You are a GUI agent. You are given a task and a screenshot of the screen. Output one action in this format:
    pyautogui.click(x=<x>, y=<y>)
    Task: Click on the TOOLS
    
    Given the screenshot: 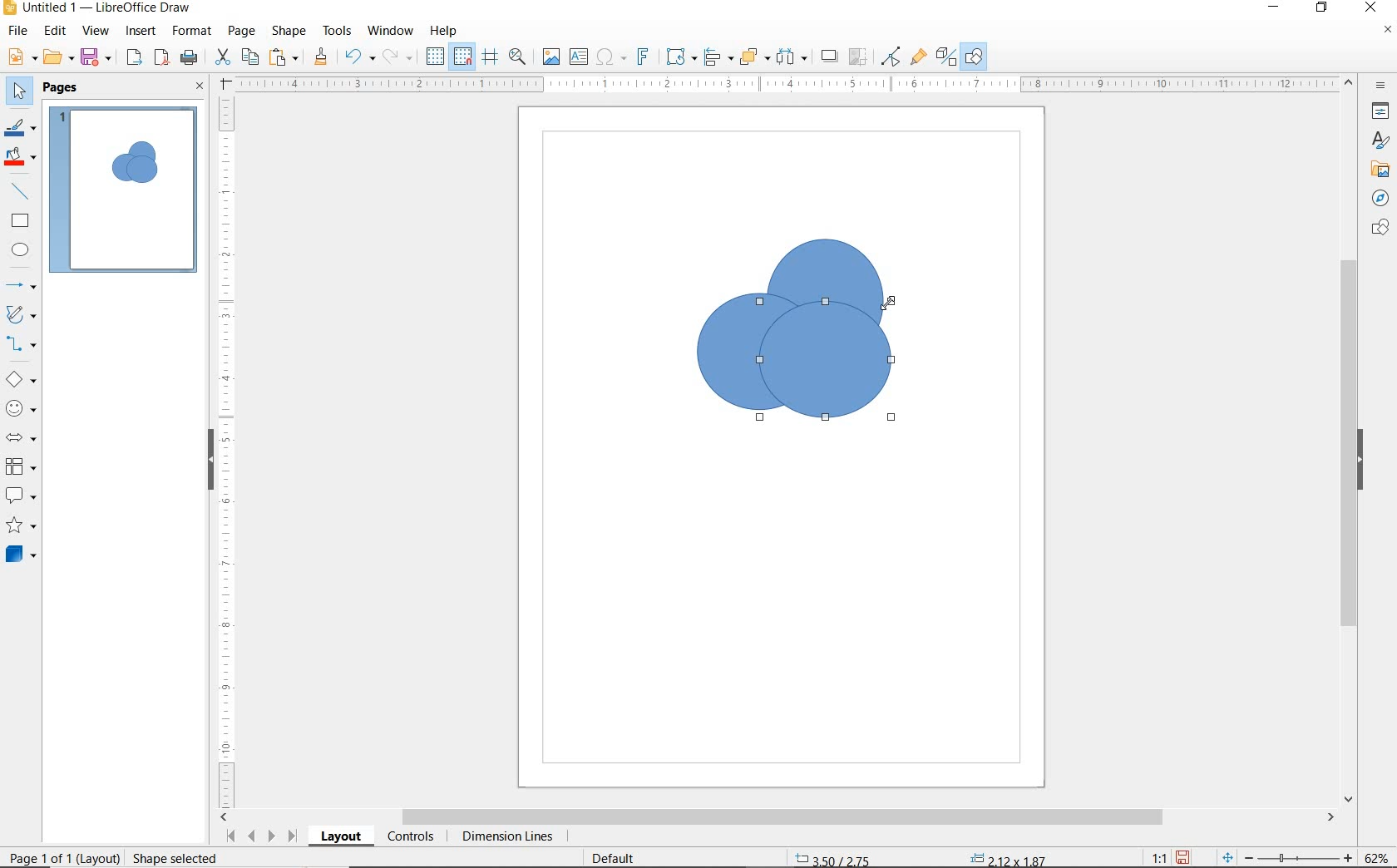 What is the action you would take?
    pyautogui.click(x=337, y=30)
    